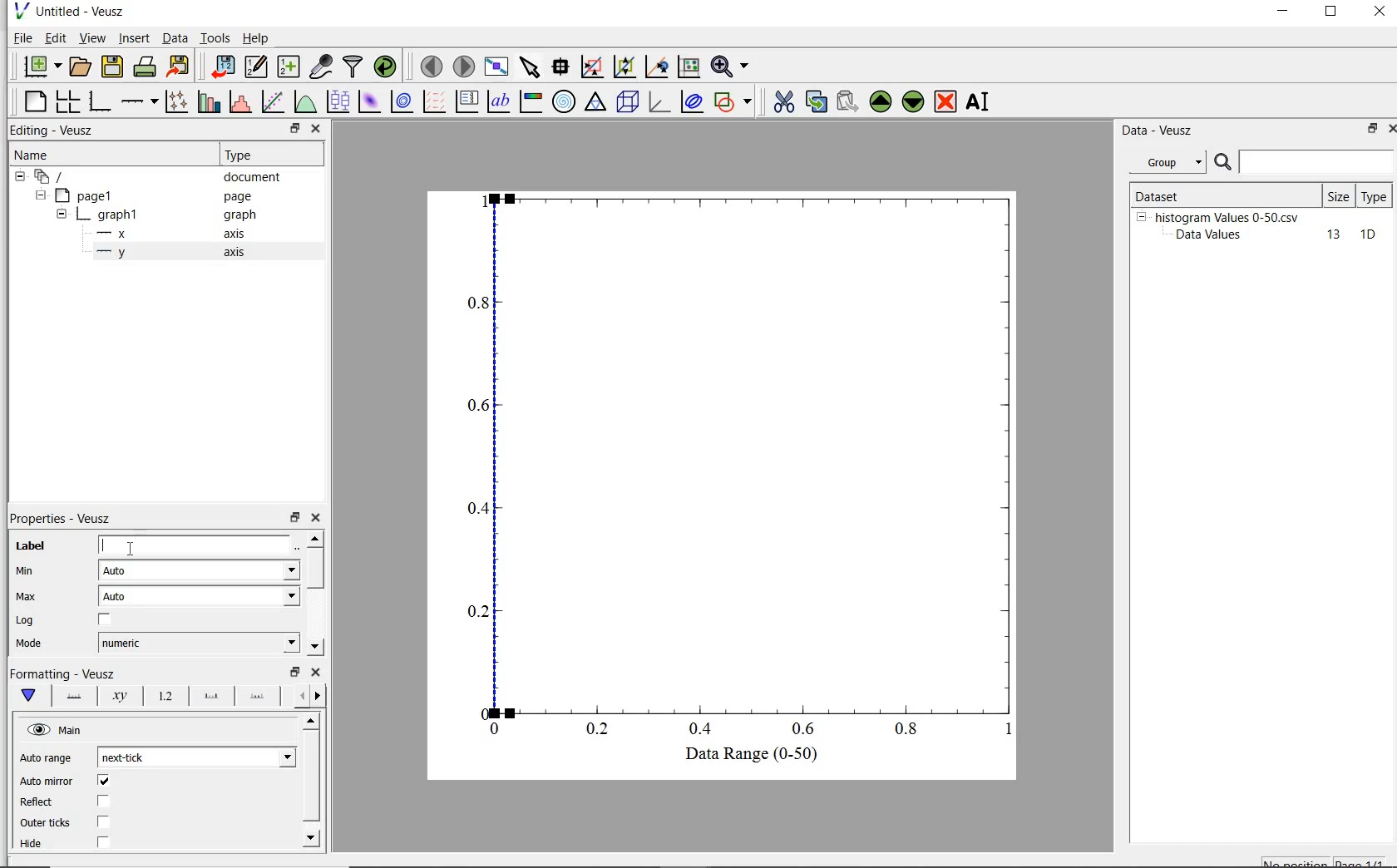 The image size is (1397, 868). I want to click on move down, so click(313, 837).